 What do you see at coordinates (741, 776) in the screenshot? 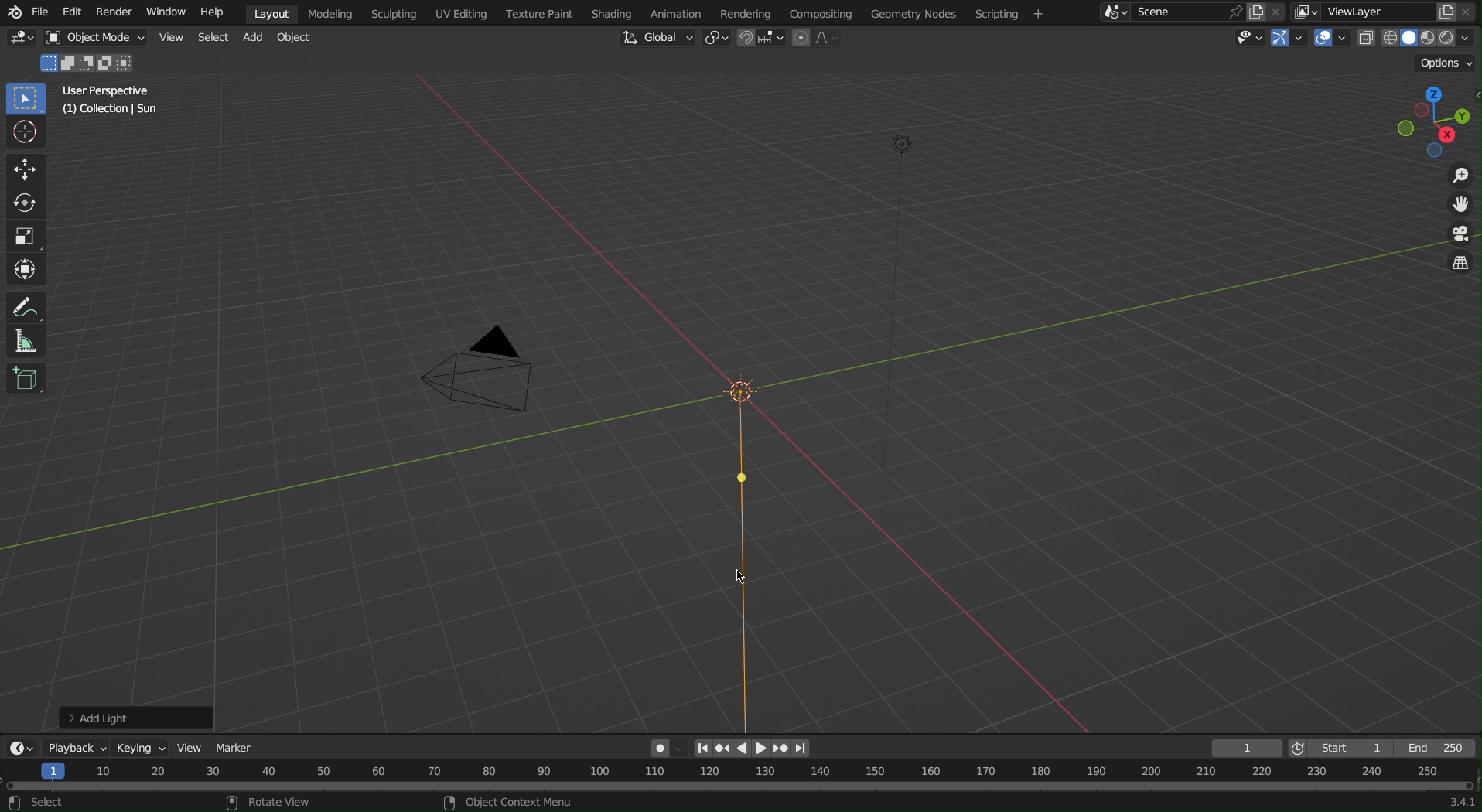
I see `Timeline` at bounding box center [741, 776].